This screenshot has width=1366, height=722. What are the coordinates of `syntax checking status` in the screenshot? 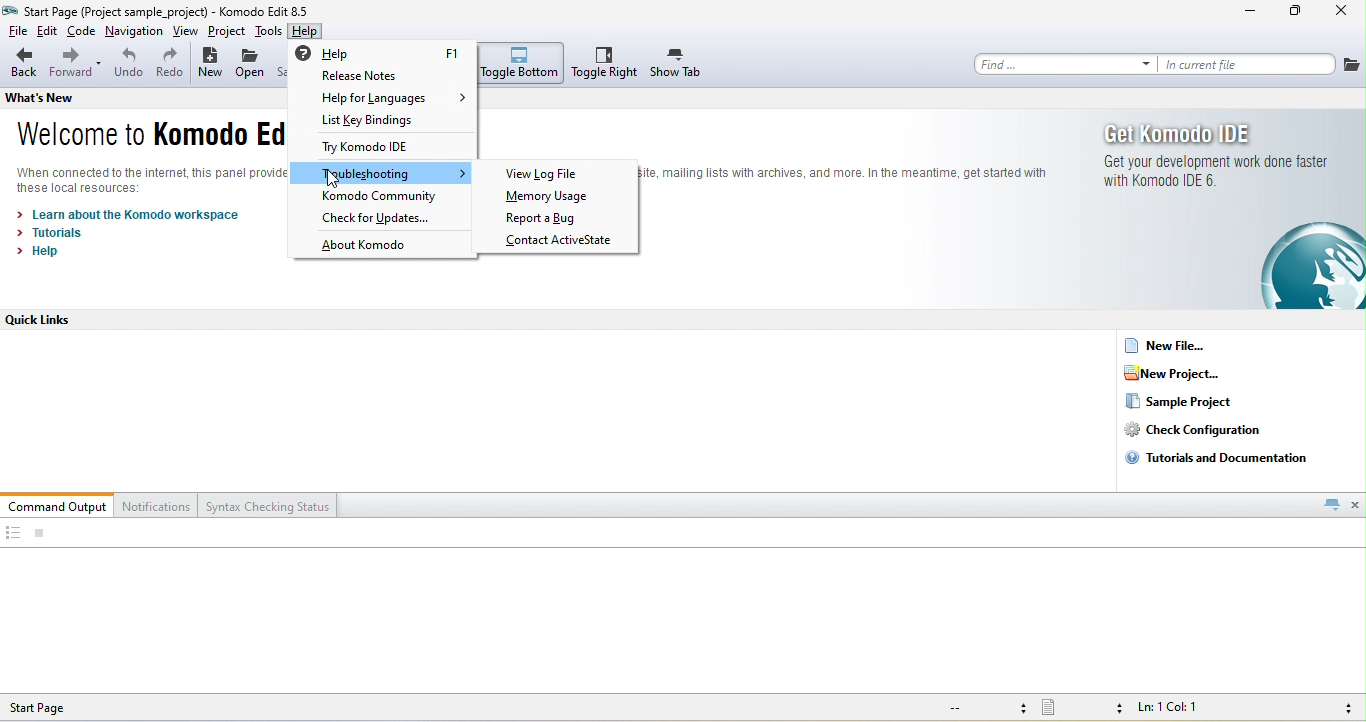 It's located at (269, 505).